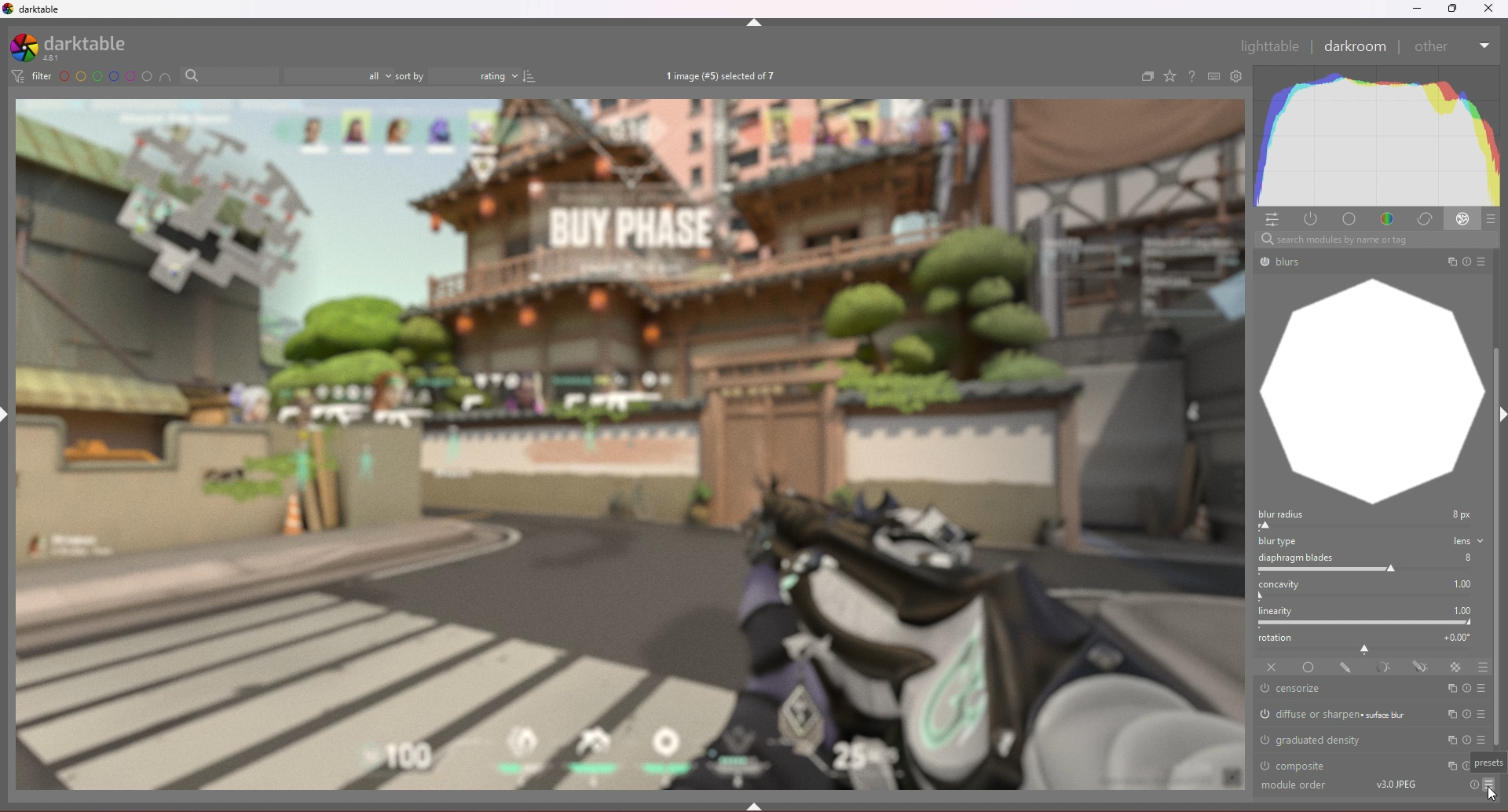  I want to click on darkroom, so click(1356, 46).